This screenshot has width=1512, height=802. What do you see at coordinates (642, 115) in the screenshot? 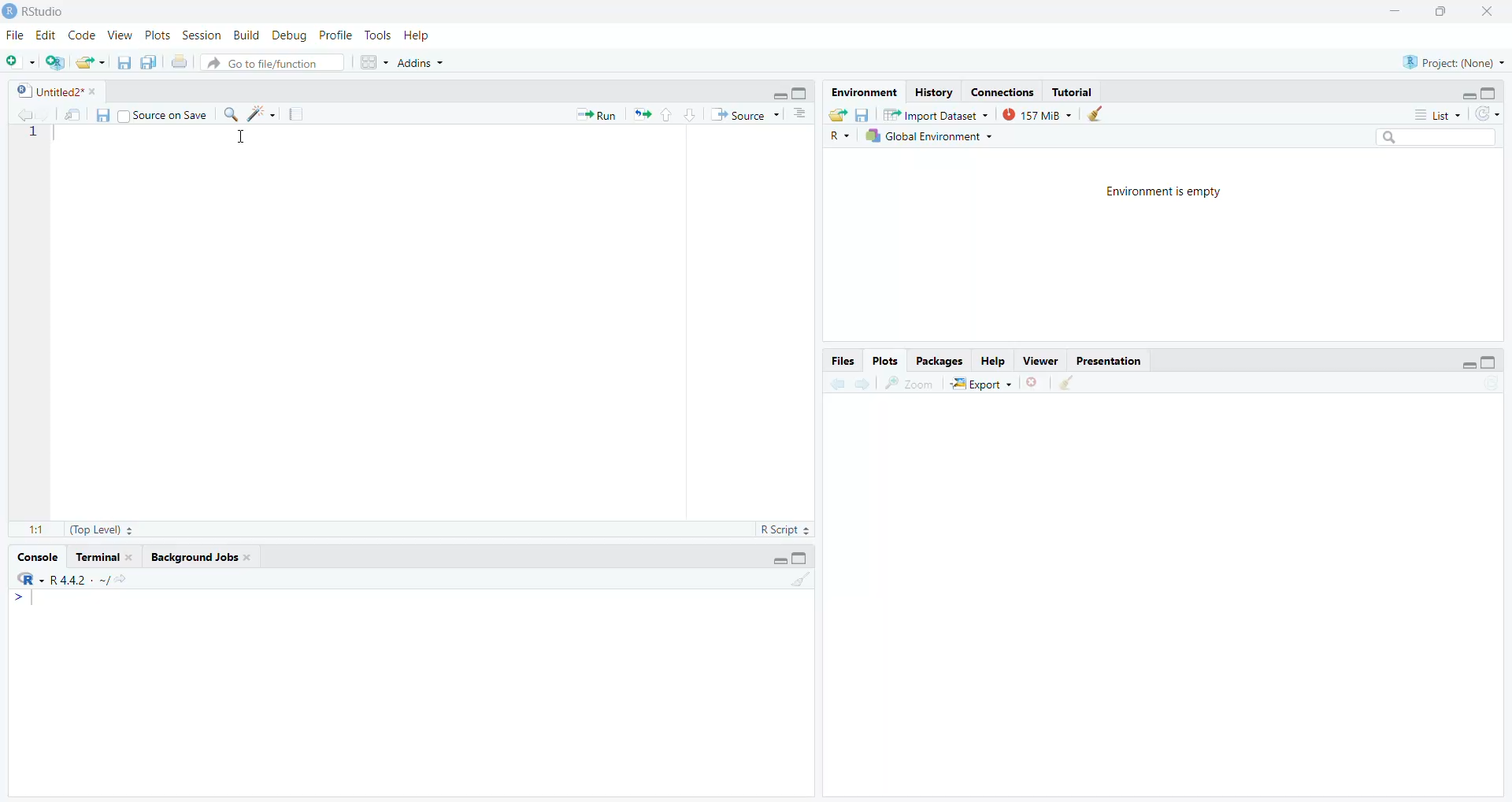
I see `Re-run the previous code again` at bounding box center [642, 115].